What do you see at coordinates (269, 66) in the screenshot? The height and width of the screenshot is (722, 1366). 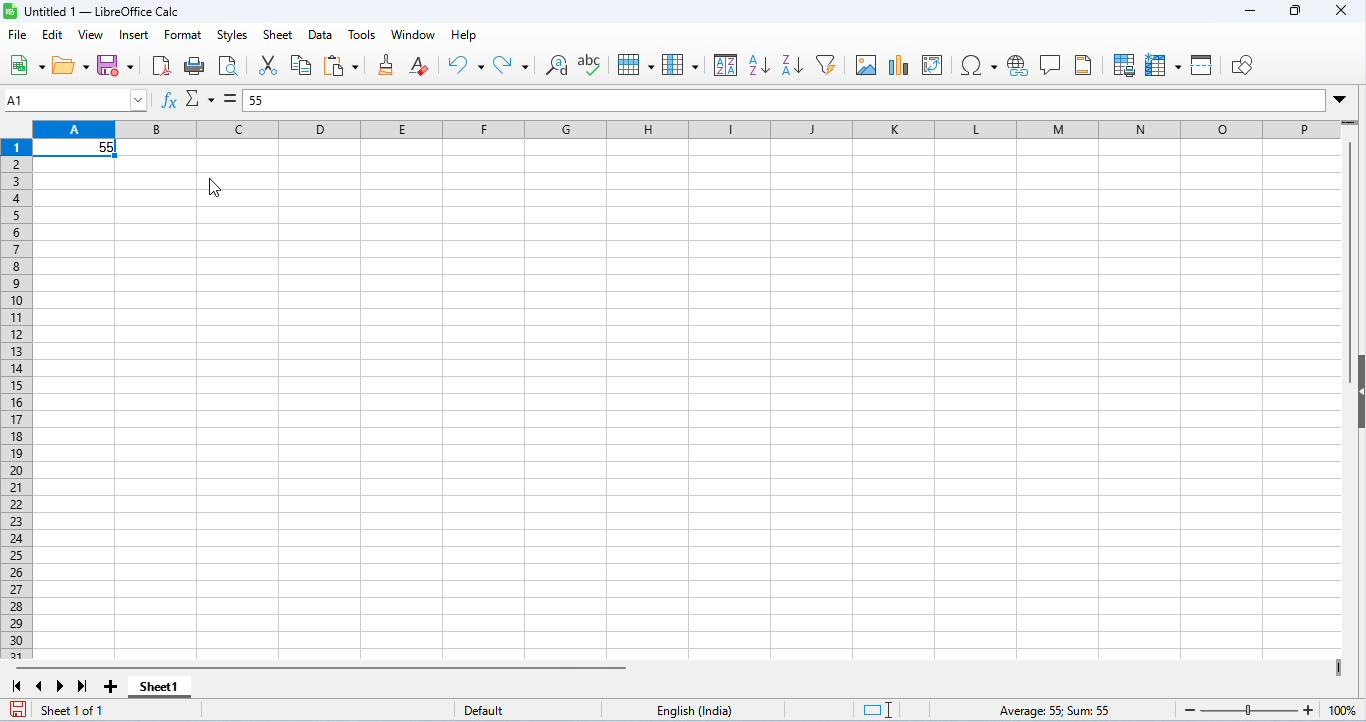 I see `cut` at bounding box center [269, 66].